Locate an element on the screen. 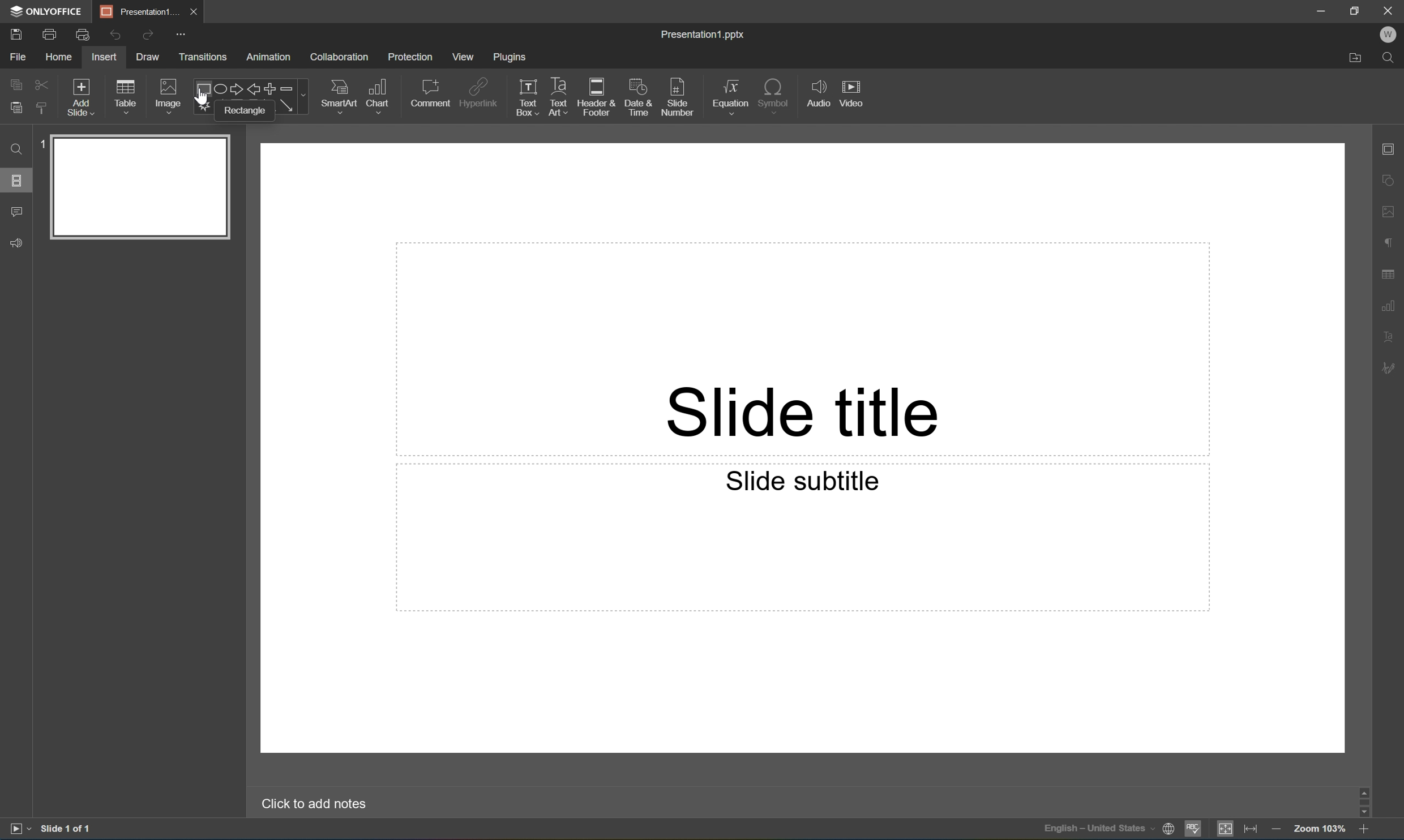 This screenshot has width=1404, height=840. Video is located at coordinates (850, 92).